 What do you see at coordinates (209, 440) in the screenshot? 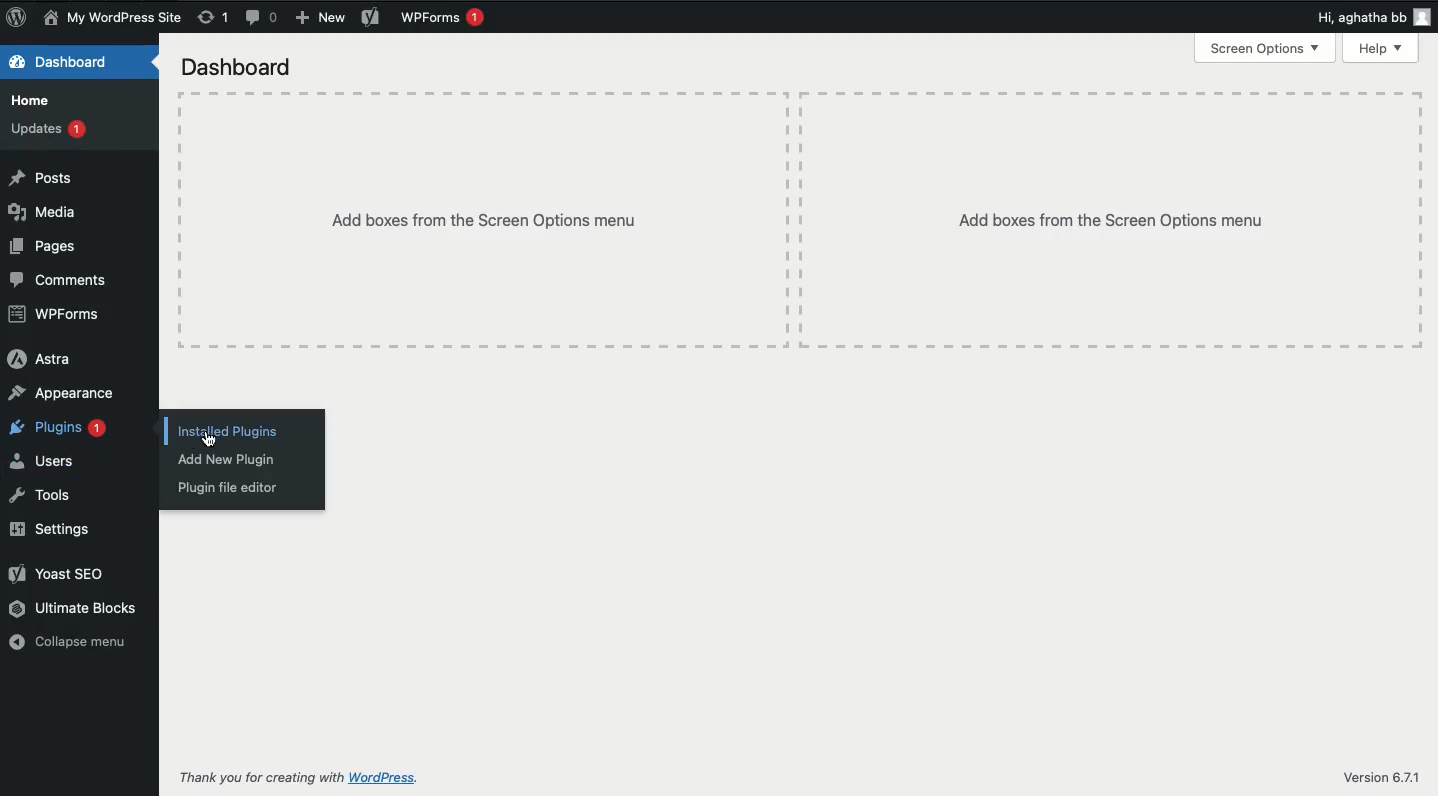
I see `cursor` at bounding box center [209, 440].